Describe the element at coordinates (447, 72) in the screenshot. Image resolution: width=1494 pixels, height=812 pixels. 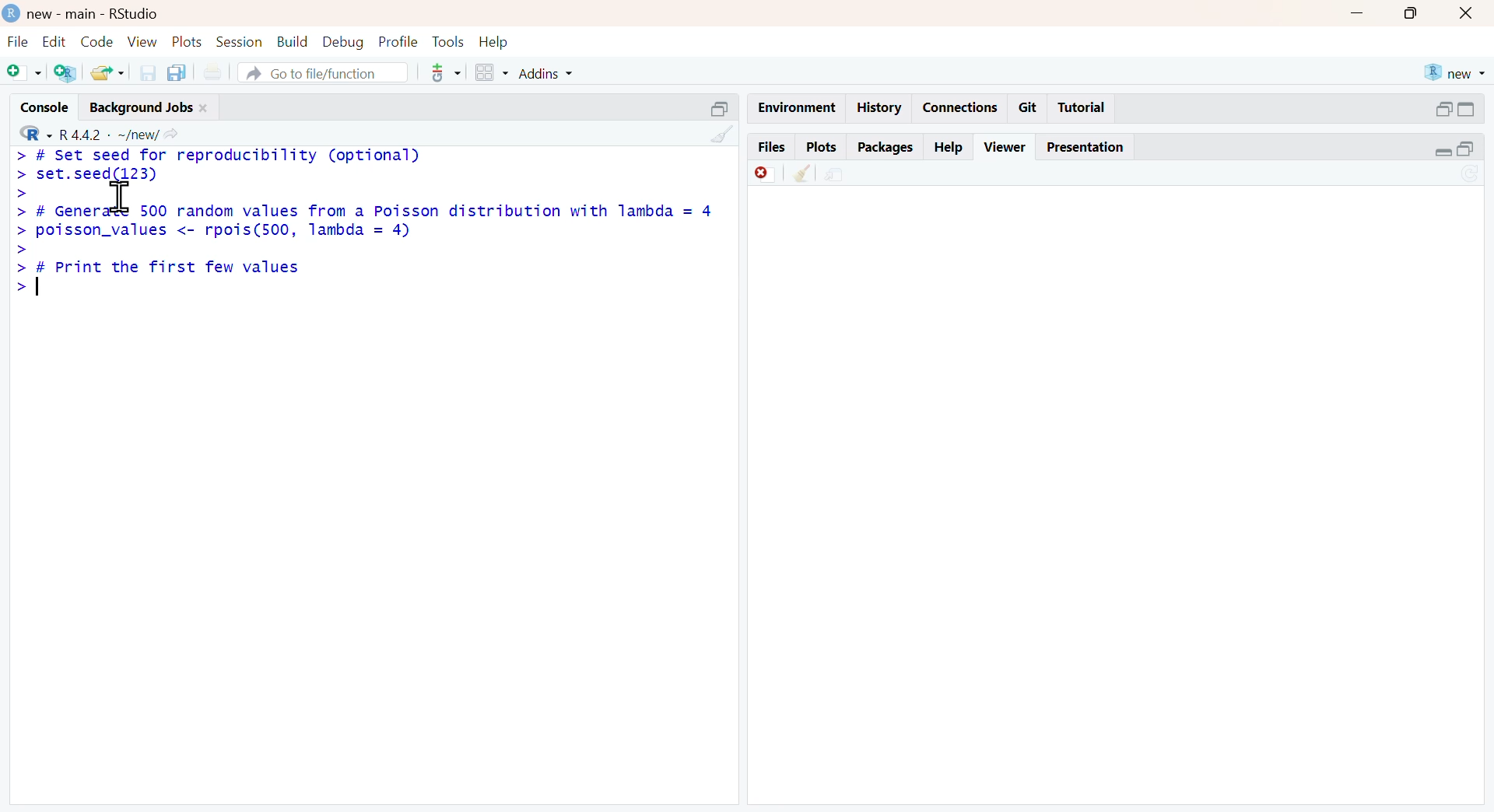
I see `tools` at that location.